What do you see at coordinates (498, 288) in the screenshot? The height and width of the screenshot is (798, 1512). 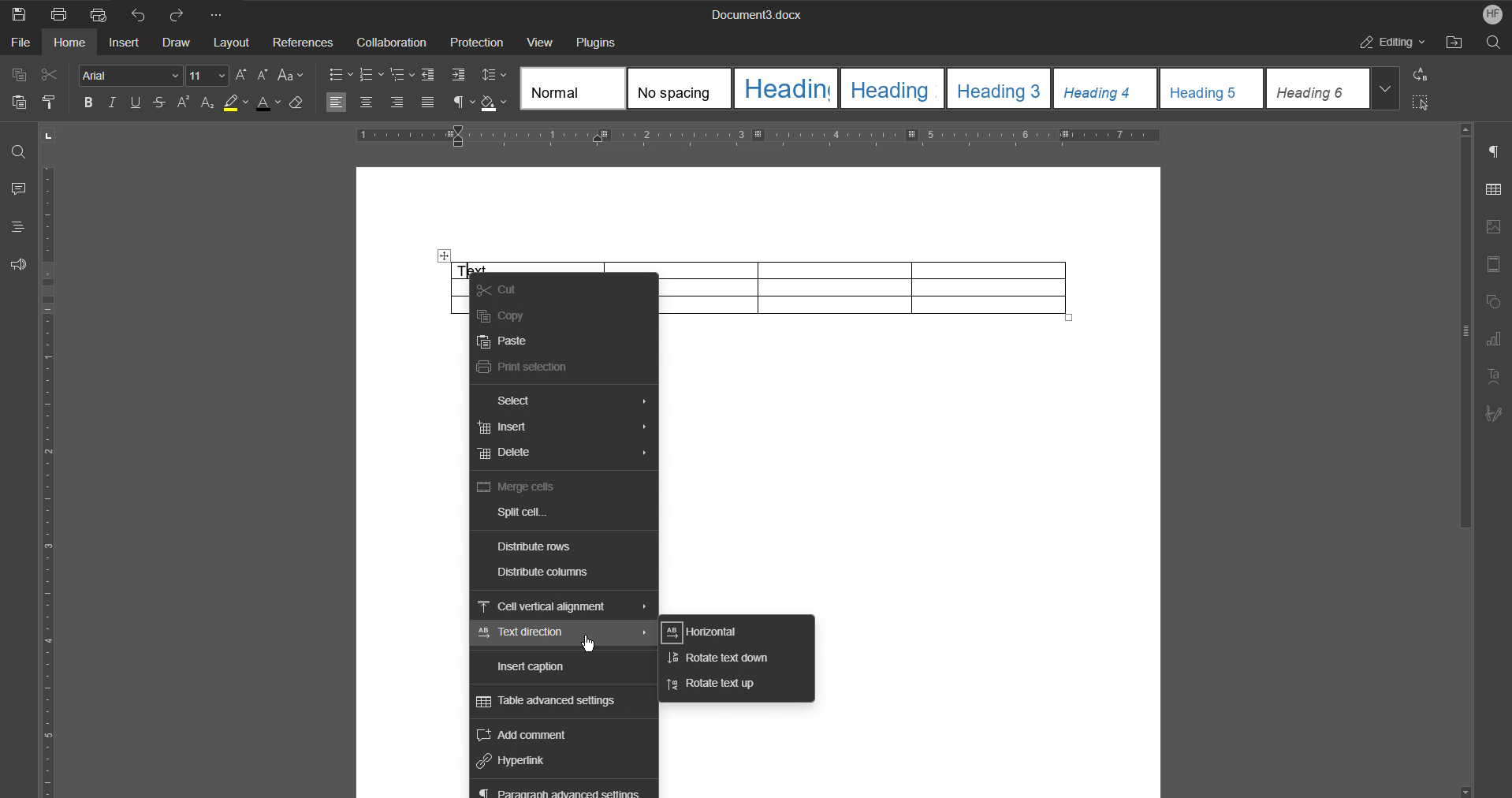 I see `Cut` at bounding box center [498, 288].